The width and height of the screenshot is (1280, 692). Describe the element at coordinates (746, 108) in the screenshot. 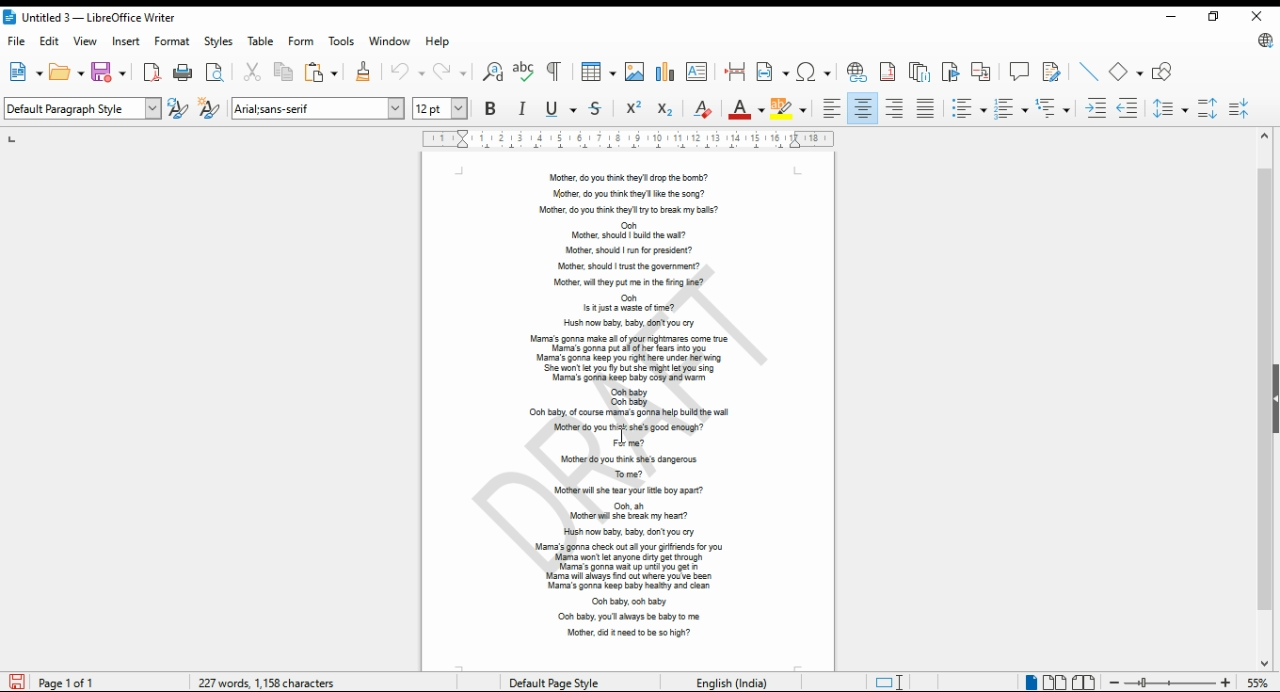

I see `font color` at that location.